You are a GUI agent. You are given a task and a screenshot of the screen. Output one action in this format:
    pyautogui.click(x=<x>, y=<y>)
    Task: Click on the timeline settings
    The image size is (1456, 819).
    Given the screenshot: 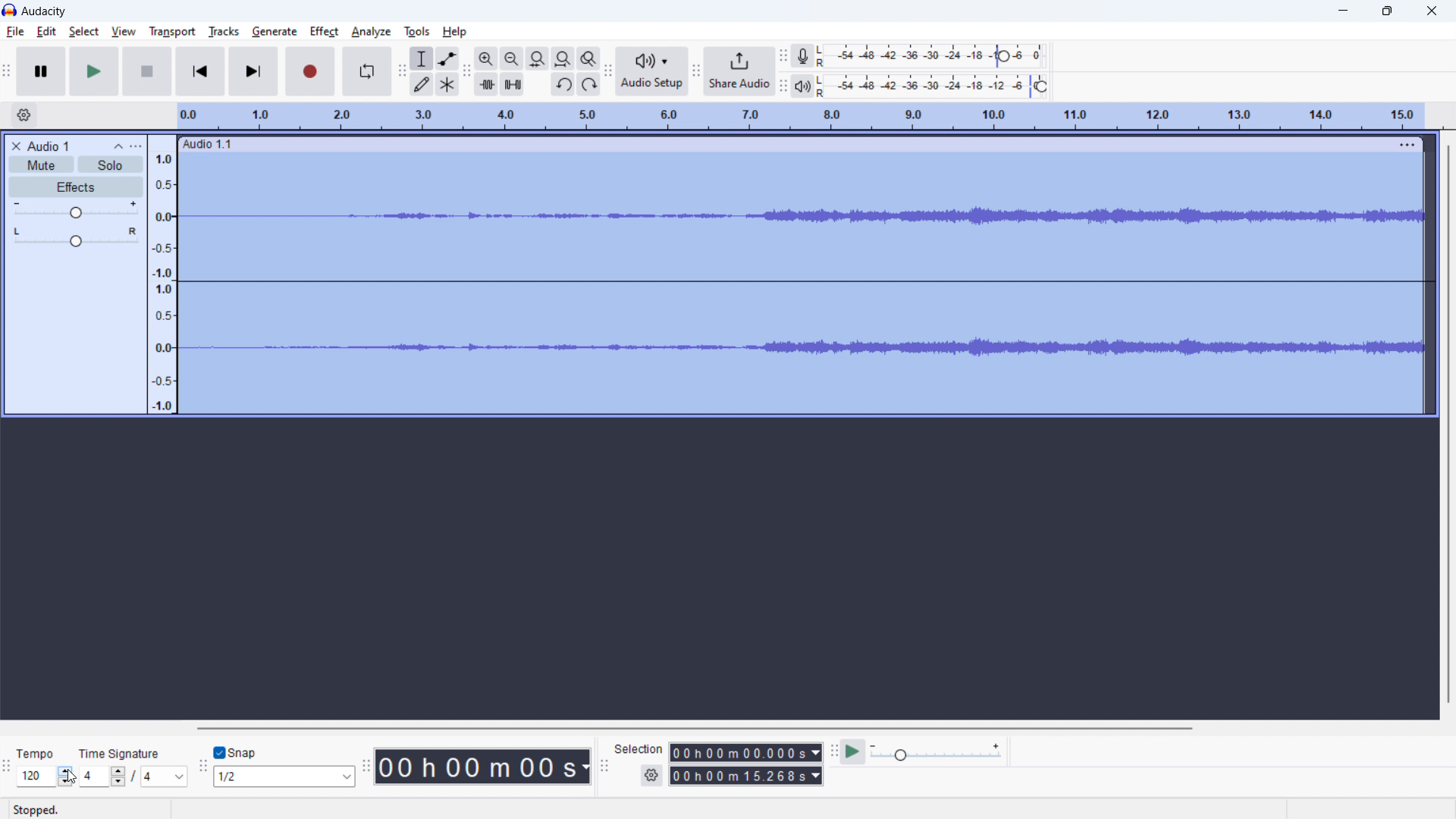 What is the action you would take?
    pyautogui.click(x=24, y=115)
    